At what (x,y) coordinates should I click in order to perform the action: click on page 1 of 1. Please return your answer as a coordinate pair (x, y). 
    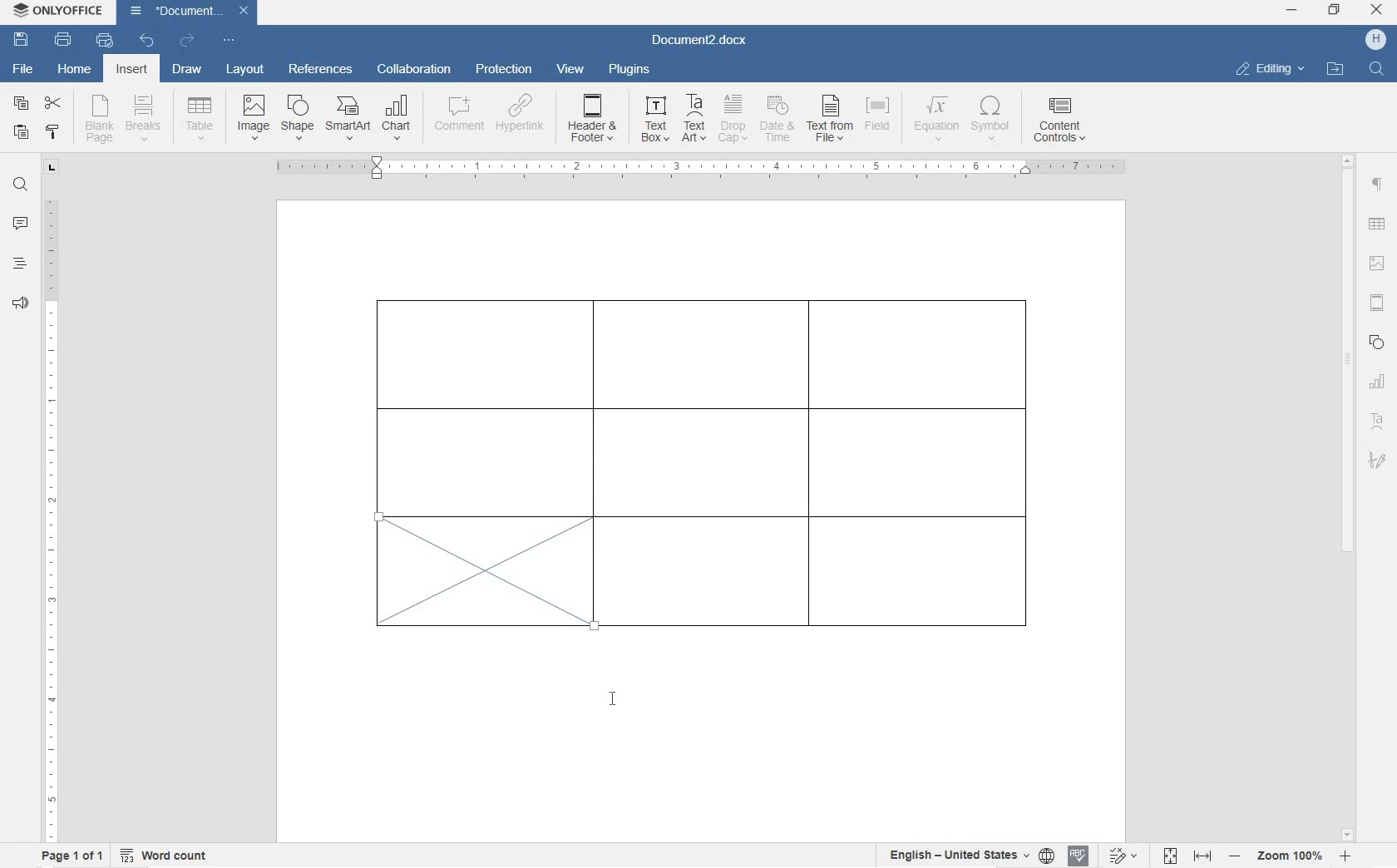
    Looking at the image, I should click on (70, 856).